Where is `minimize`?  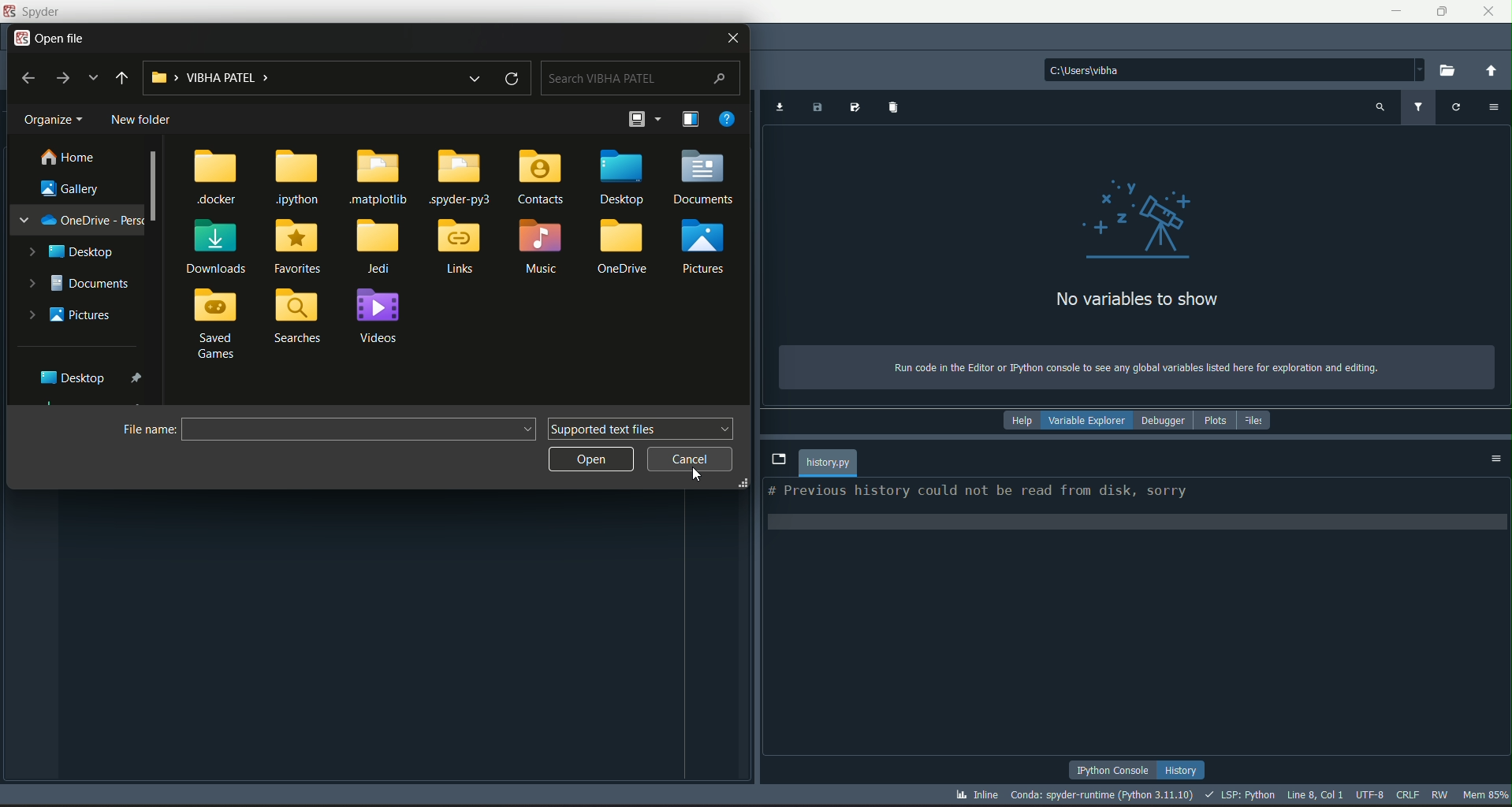 minimize is located at coordinates (1394, 9).